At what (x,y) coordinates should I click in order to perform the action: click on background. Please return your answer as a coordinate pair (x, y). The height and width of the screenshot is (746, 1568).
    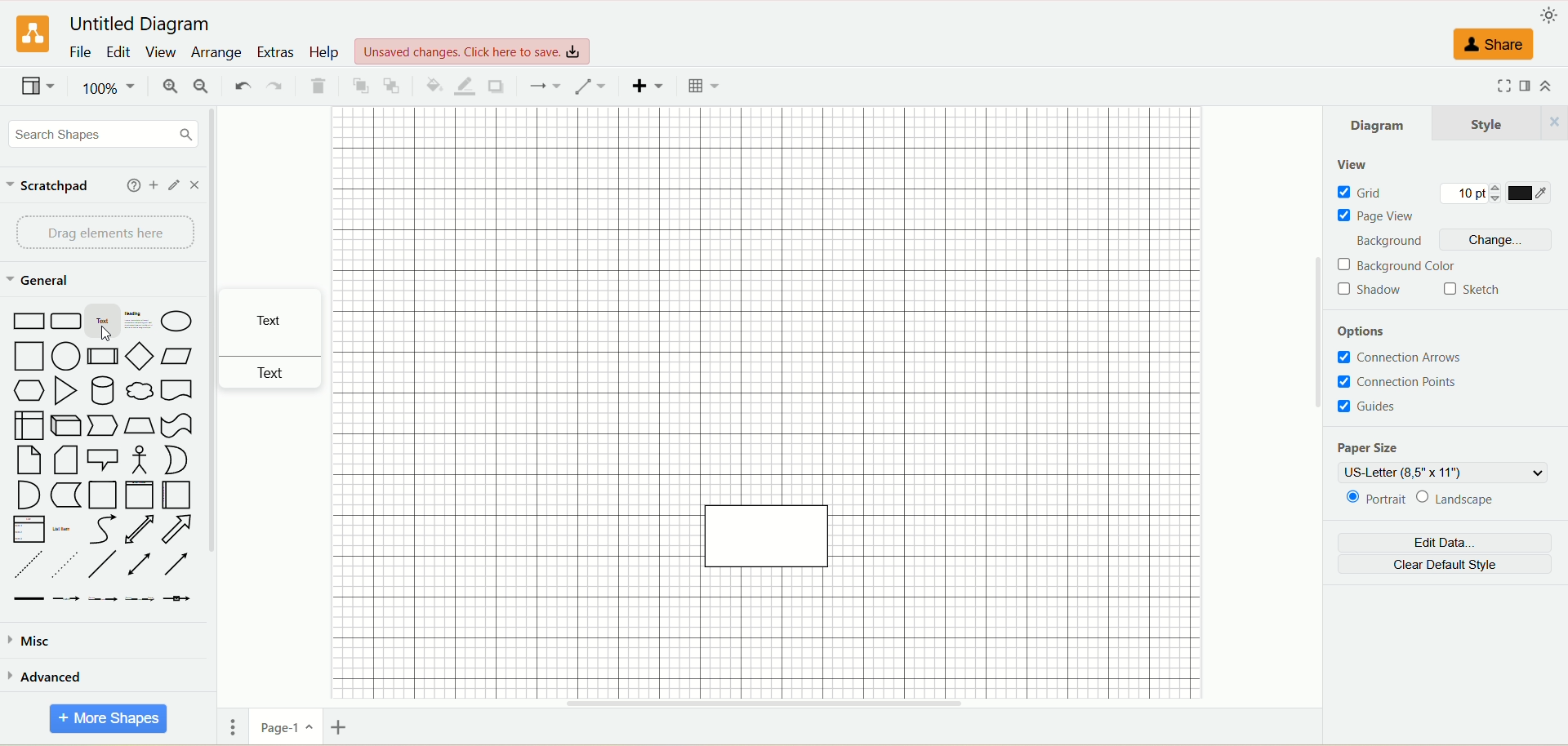
    Looking at the image, I should click on (1383, 241).